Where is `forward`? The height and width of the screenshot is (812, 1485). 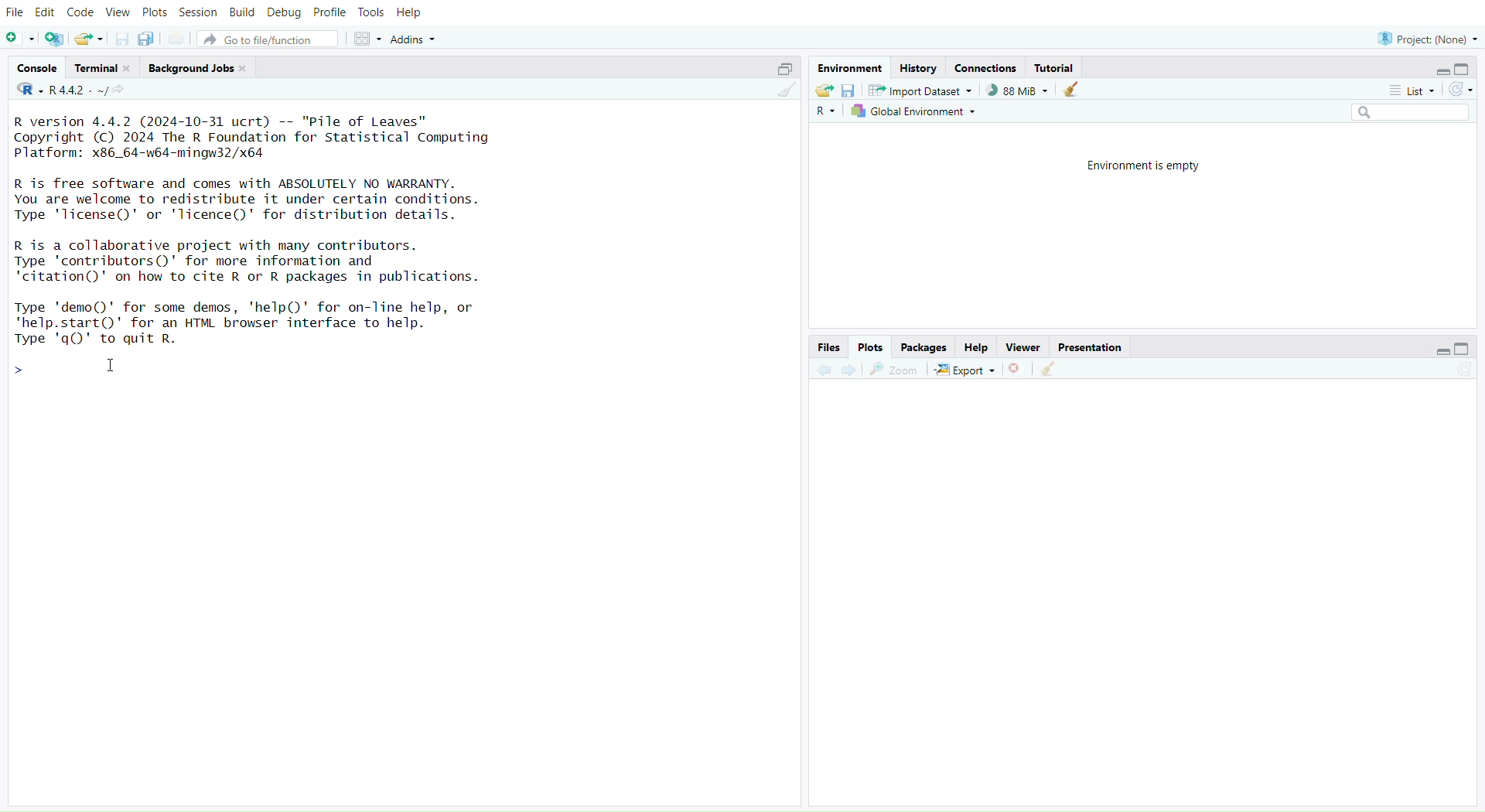 forward is located at coordinates (850, 371).